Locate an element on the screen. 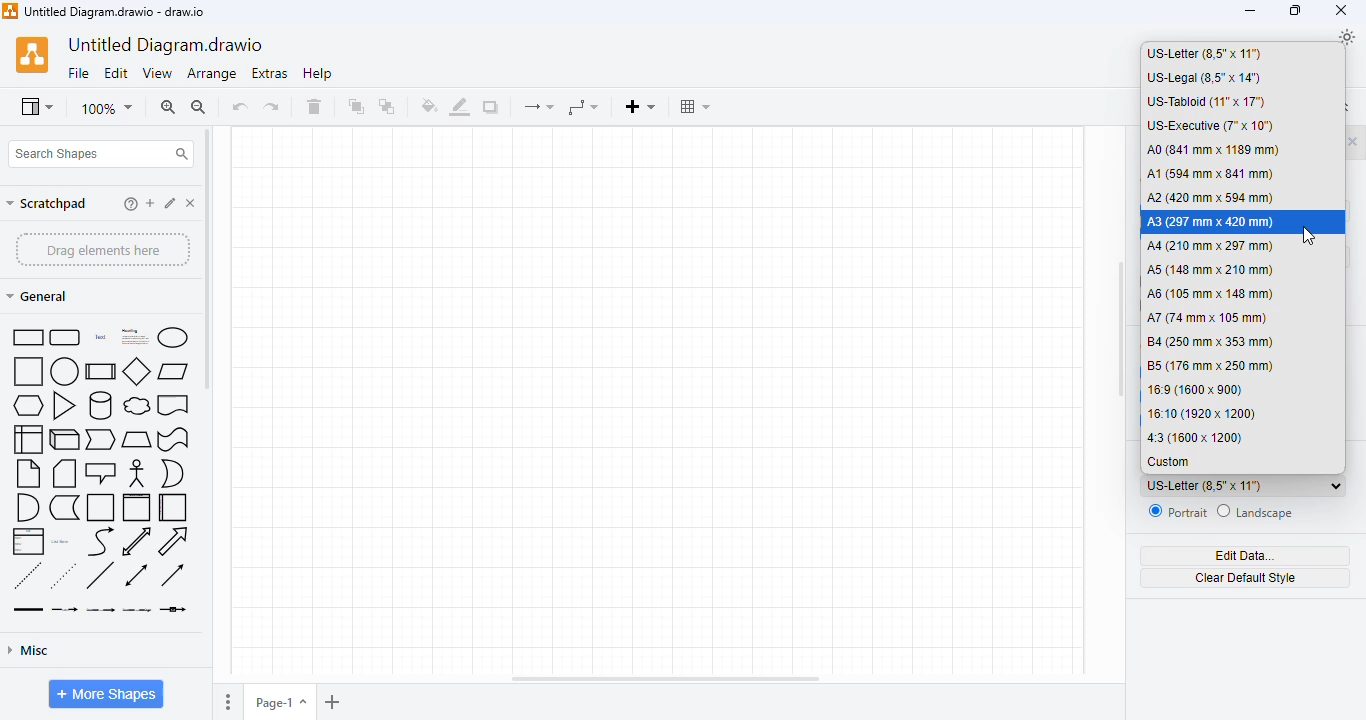 The height and width of the screenshot is (720, 1366). tape is located at coordinates (174, 440).